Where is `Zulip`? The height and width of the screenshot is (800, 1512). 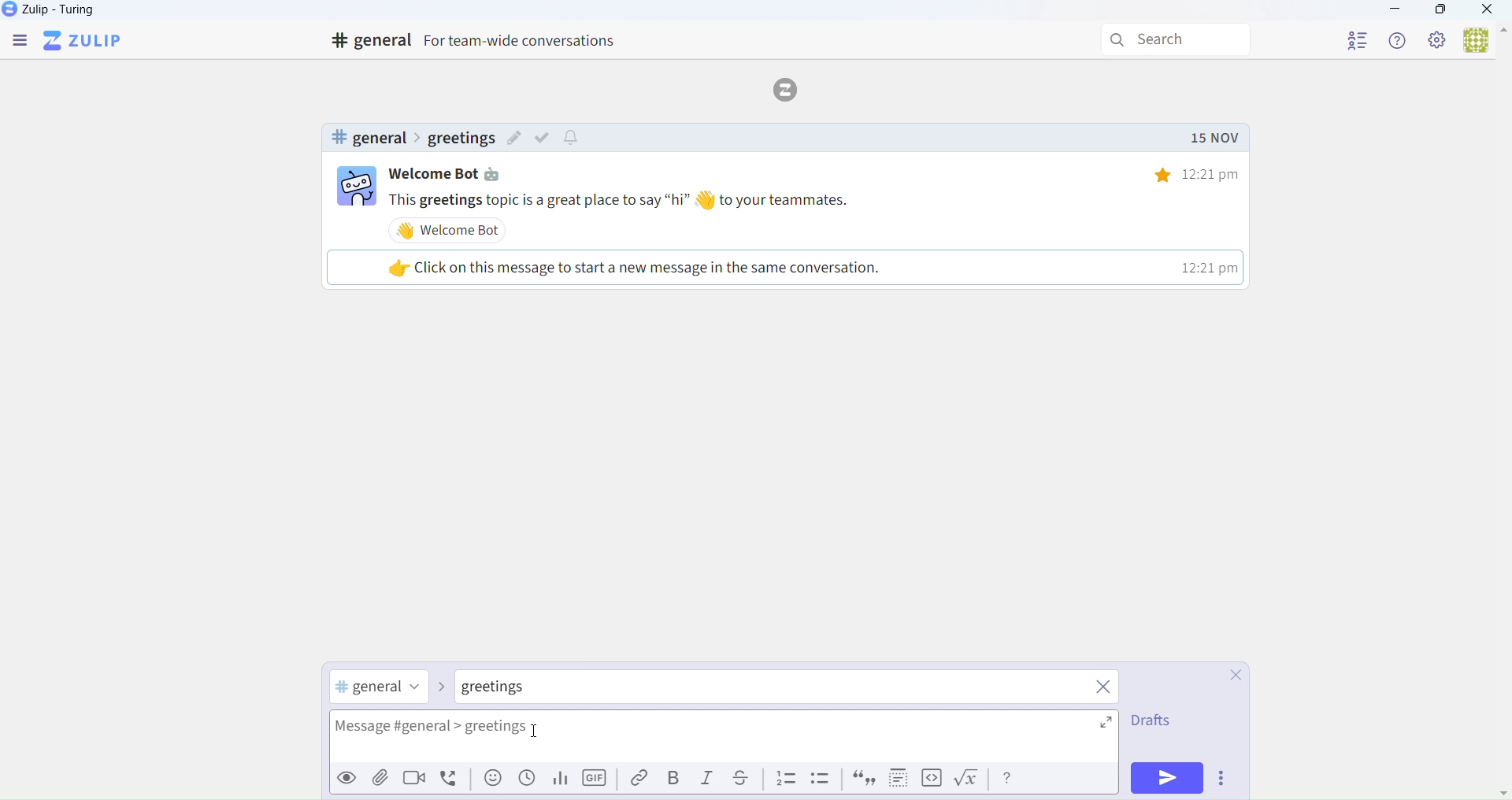
Zulip is located at coordinates (67, 13).